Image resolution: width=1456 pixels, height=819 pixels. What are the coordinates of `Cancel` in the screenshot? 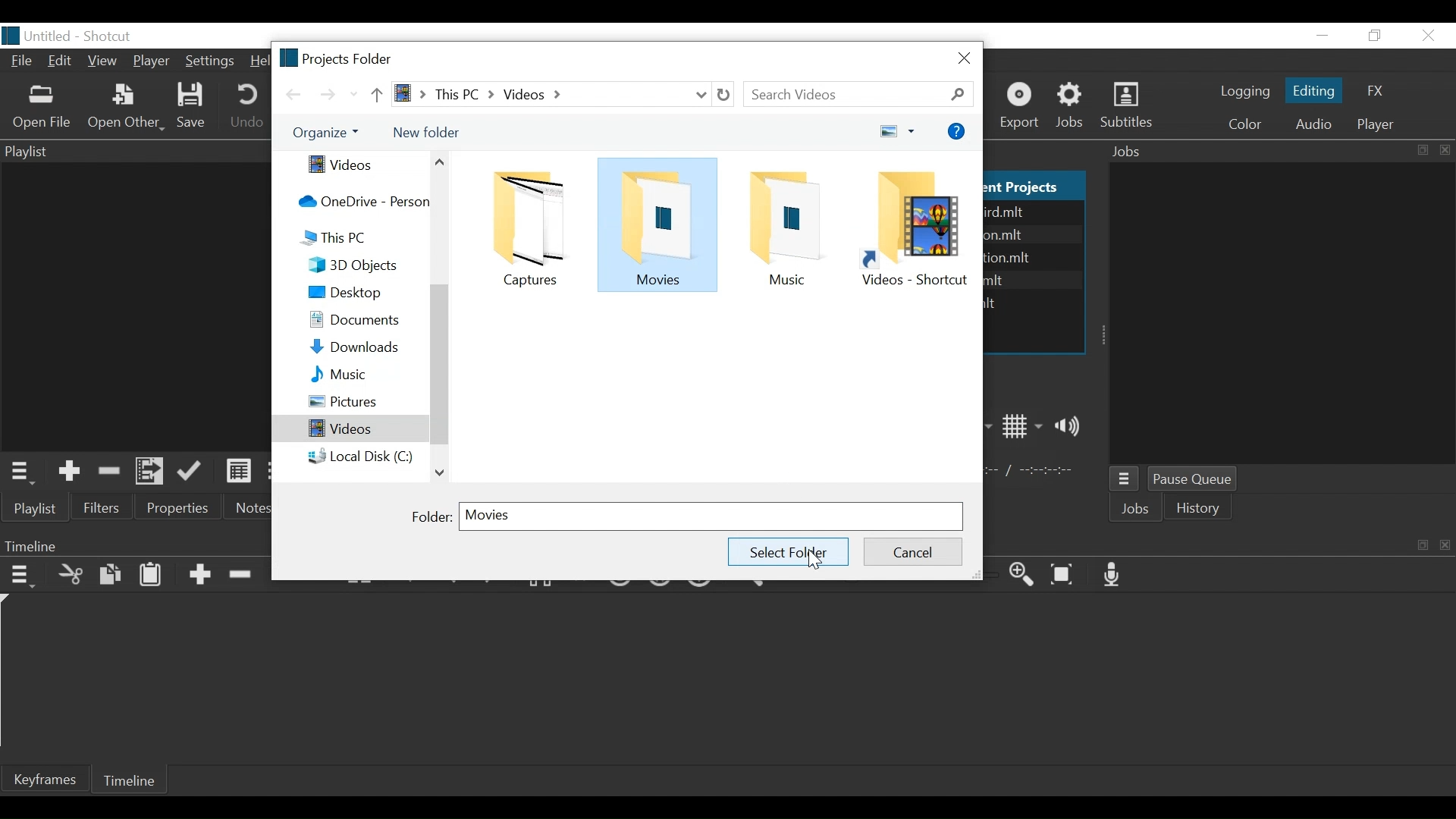 It's located at (914, 551).